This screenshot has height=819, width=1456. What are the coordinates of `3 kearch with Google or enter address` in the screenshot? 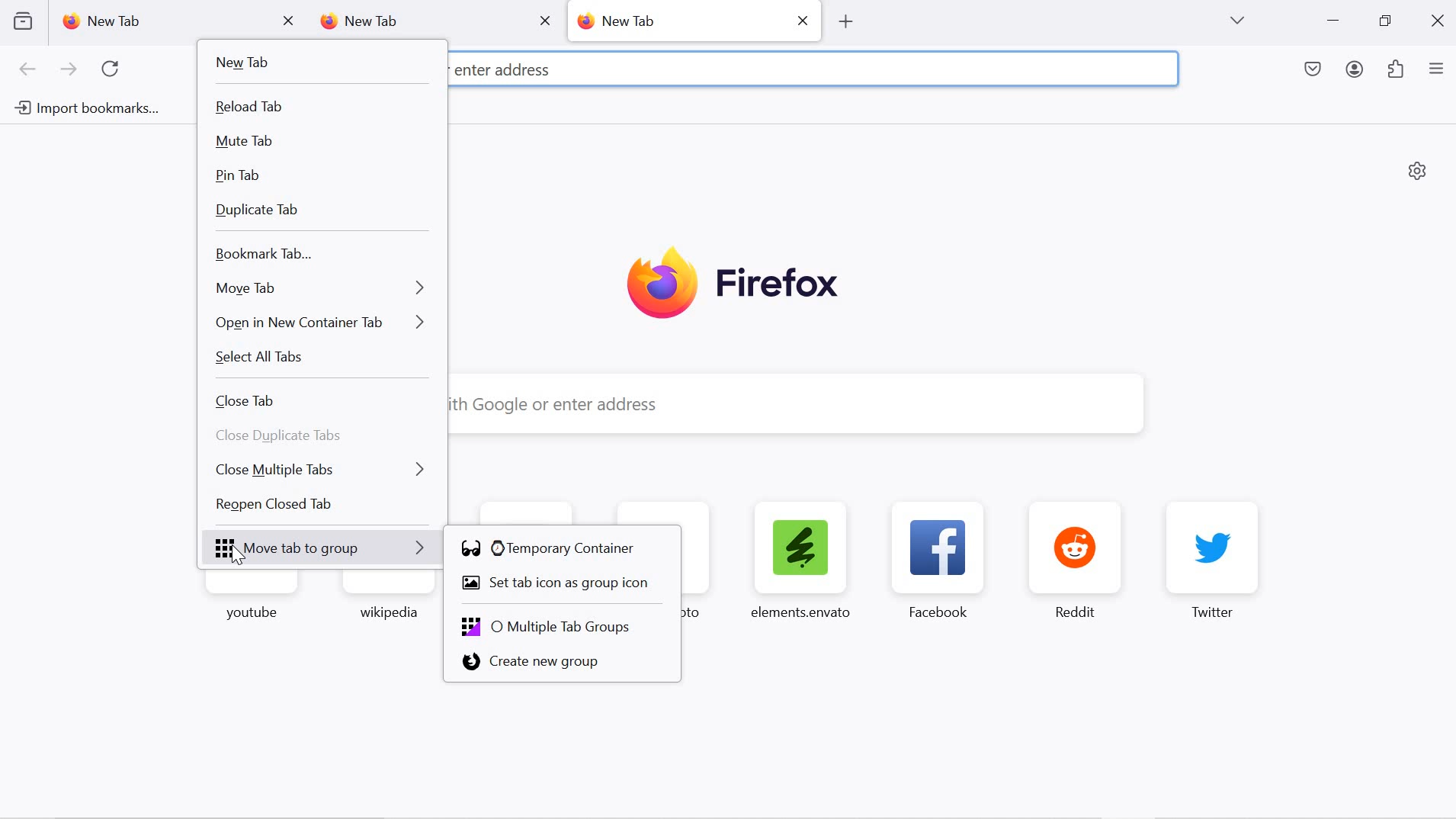 It's located at (614, 66).